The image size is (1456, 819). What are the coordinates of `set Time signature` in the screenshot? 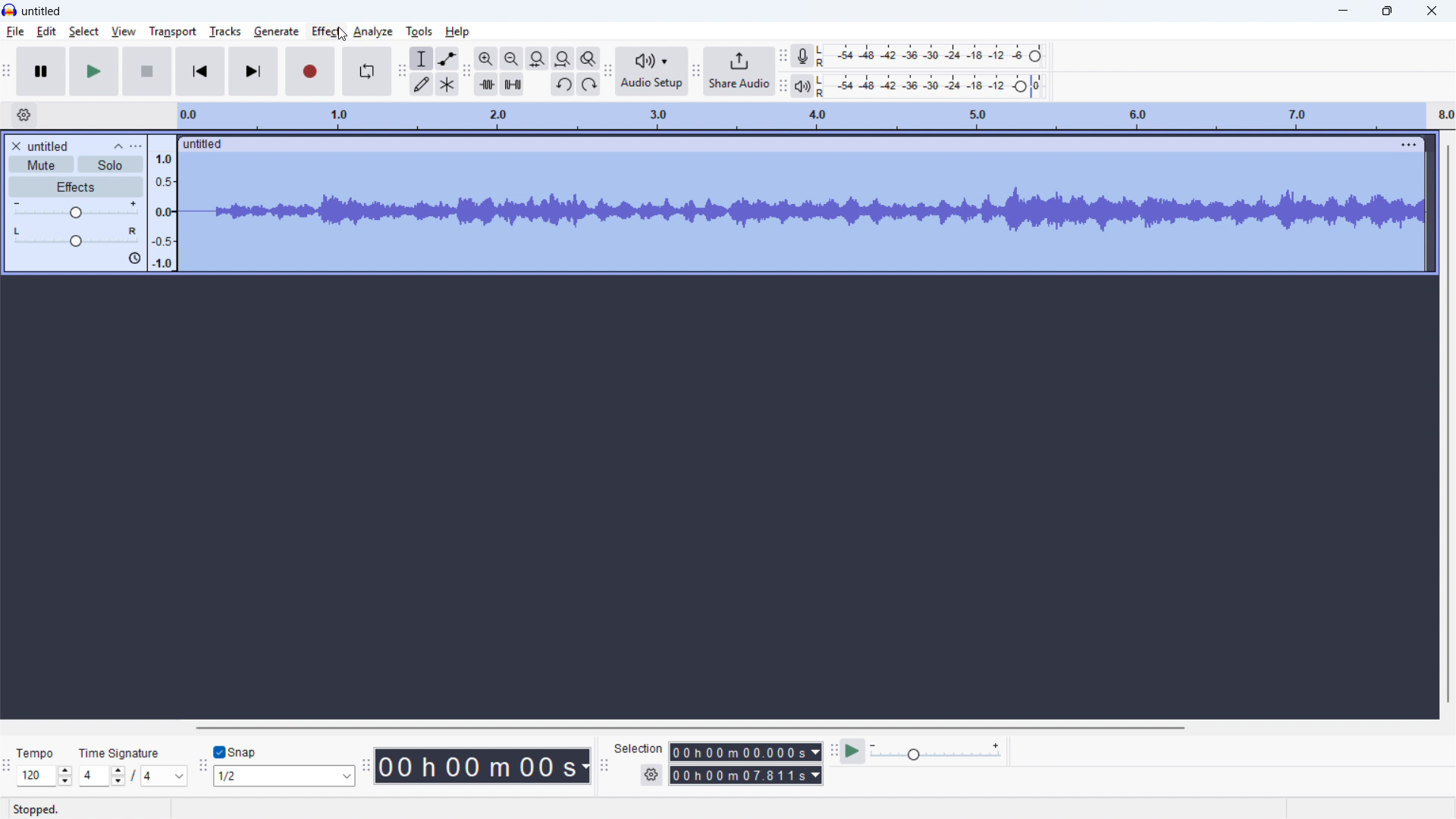 It's located at (134, 776).